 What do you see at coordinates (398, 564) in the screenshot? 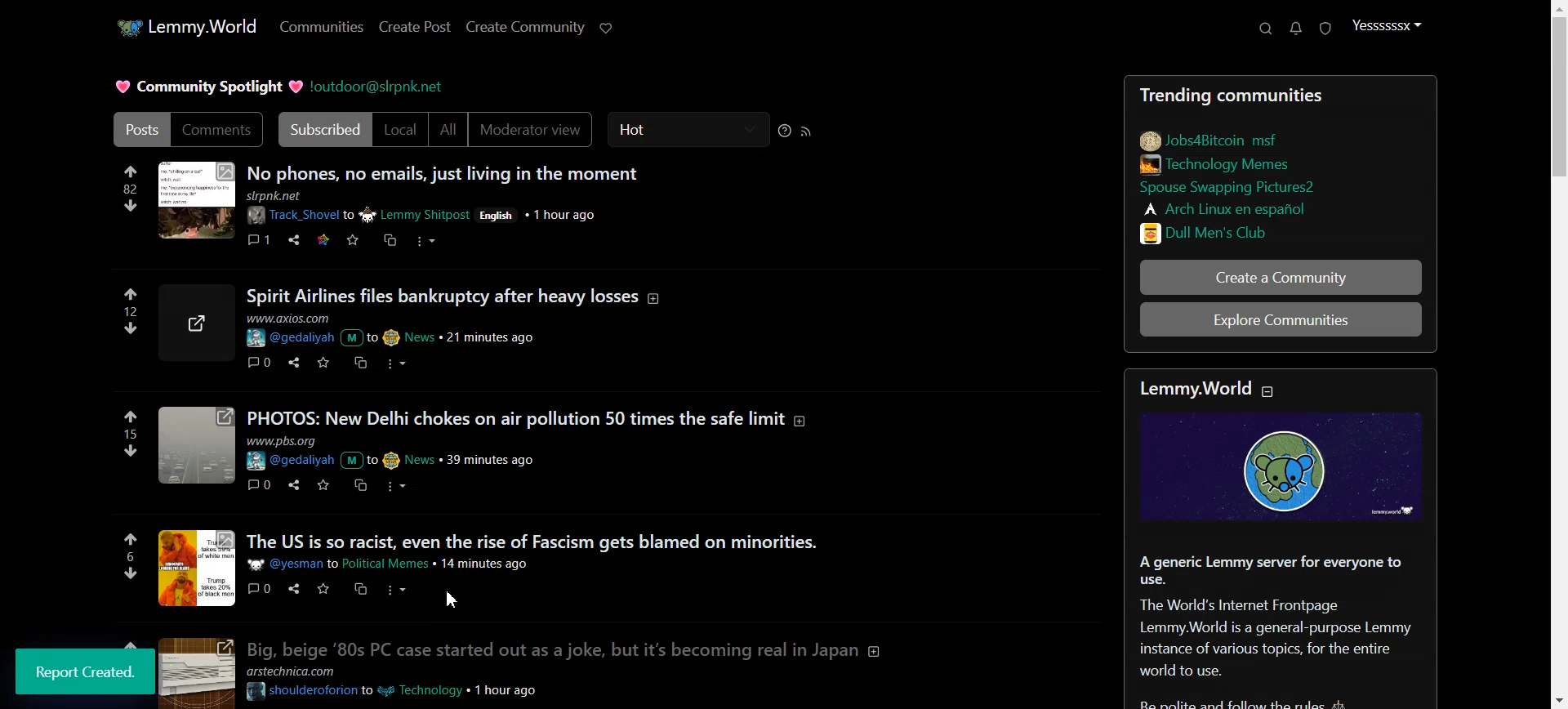
I see `post details` at bounding box center [398, 564].